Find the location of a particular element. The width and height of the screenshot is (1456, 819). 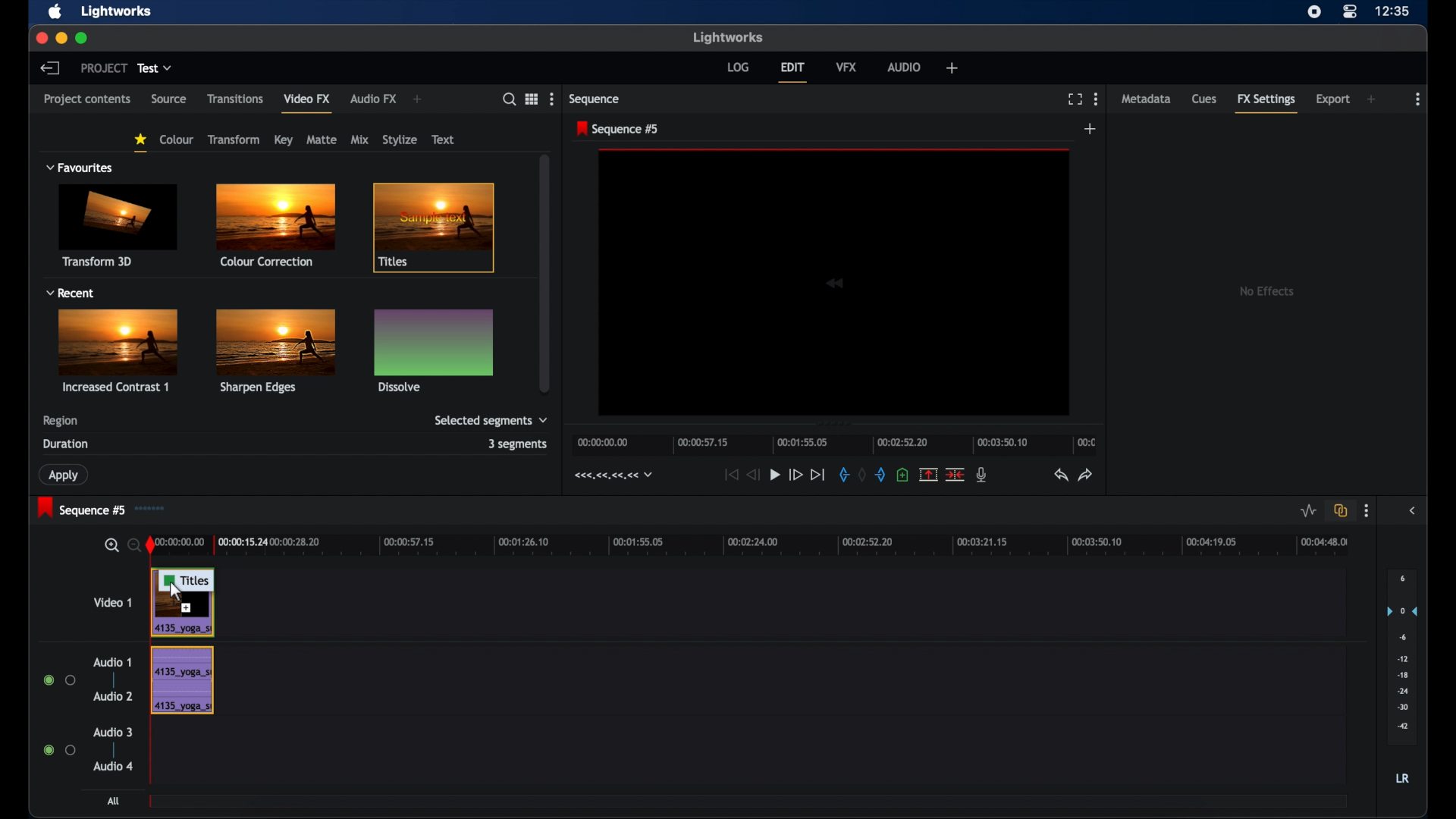

radio buttons is located at coordinates (58, 750).